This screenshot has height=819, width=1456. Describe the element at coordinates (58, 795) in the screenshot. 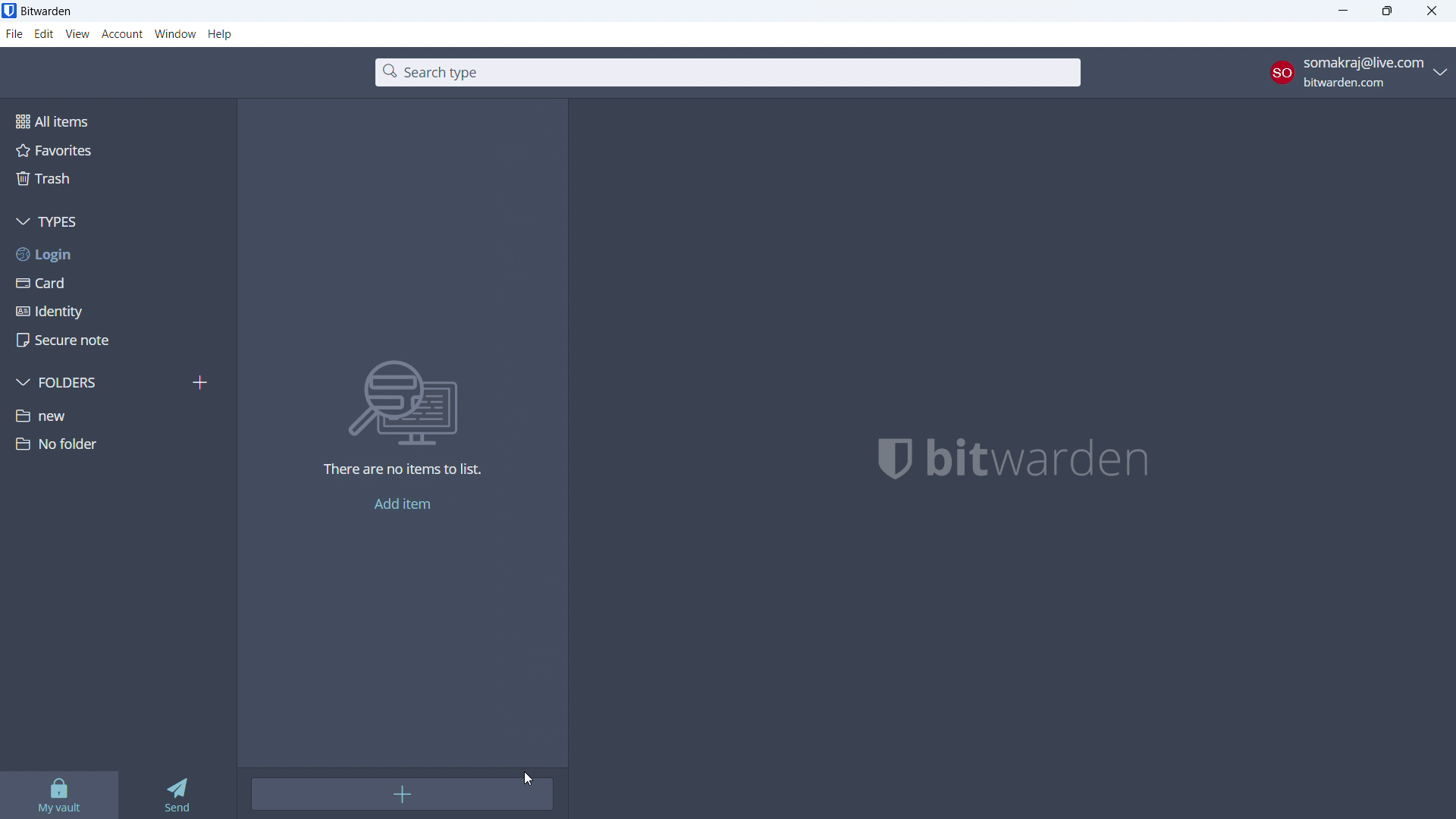

I see `my vault` at that location.